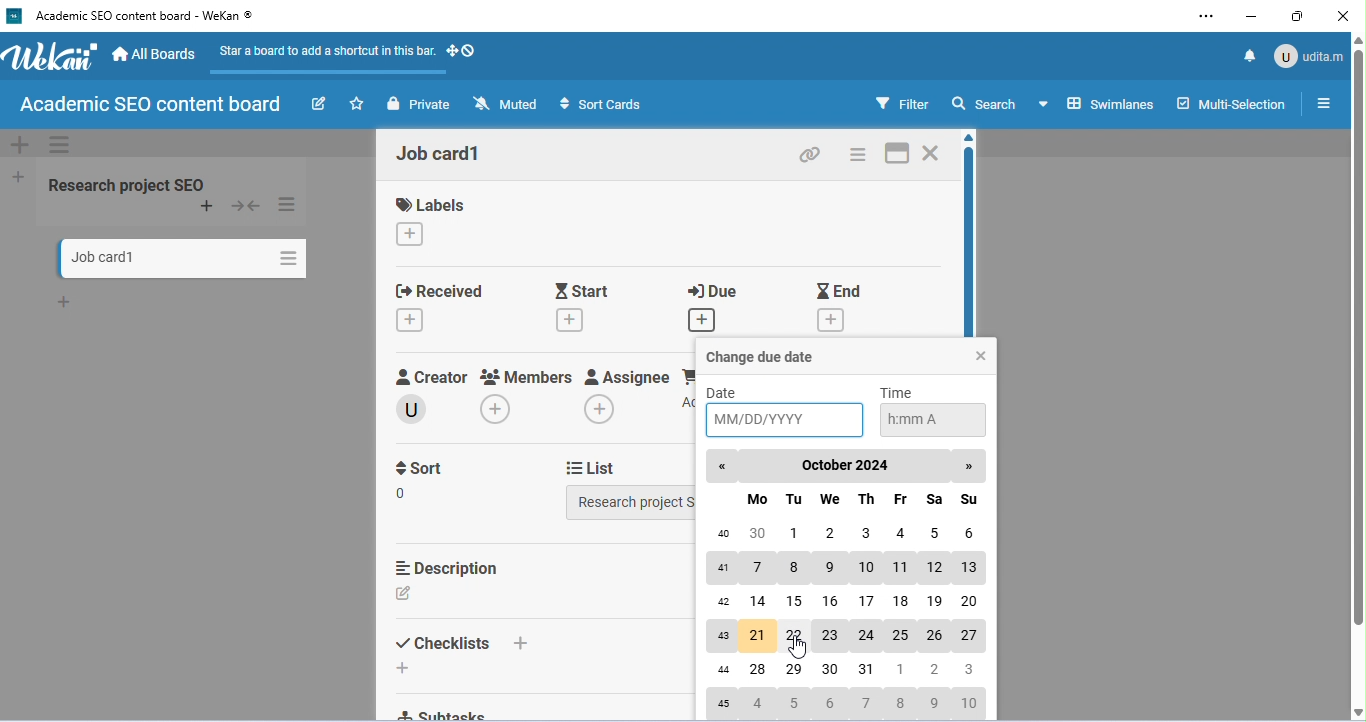  What do you see at coordinates (507, 104) in the screenshot?
I see `muted` at bounding box center [507, 104].